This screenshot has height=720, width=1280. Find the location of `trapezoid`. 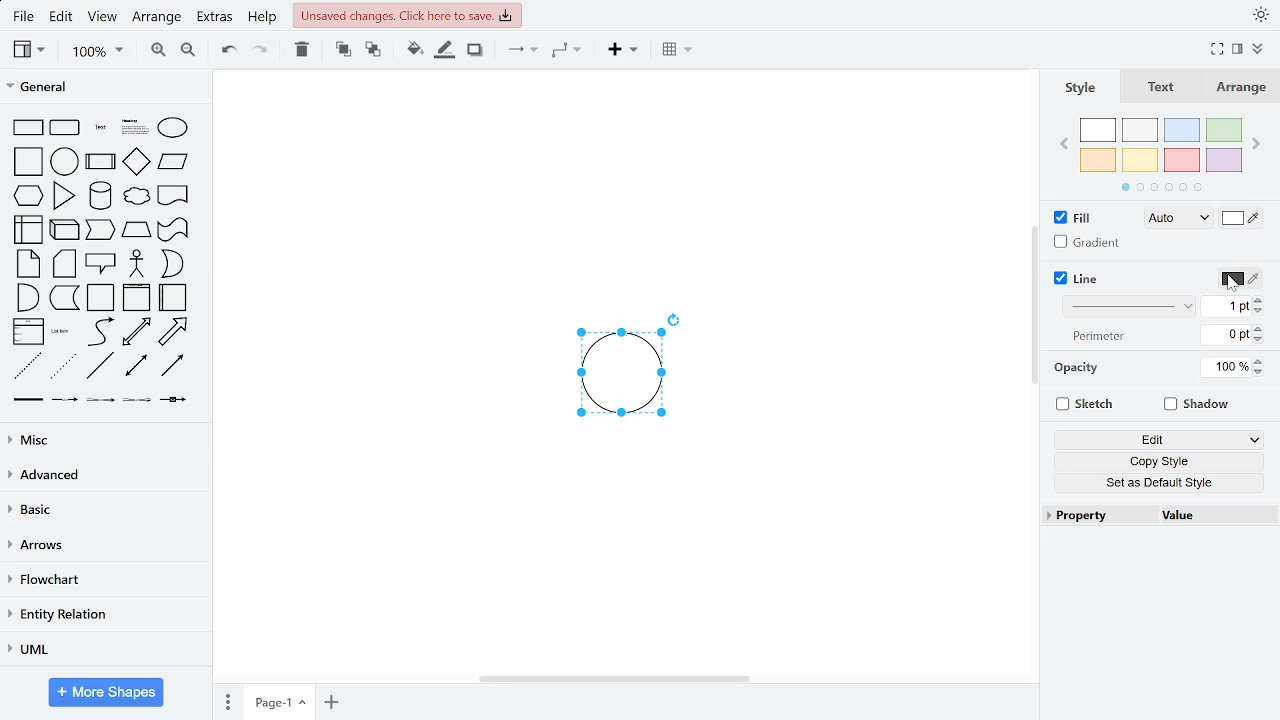

trapezoid is located at coordinates (137, 230).